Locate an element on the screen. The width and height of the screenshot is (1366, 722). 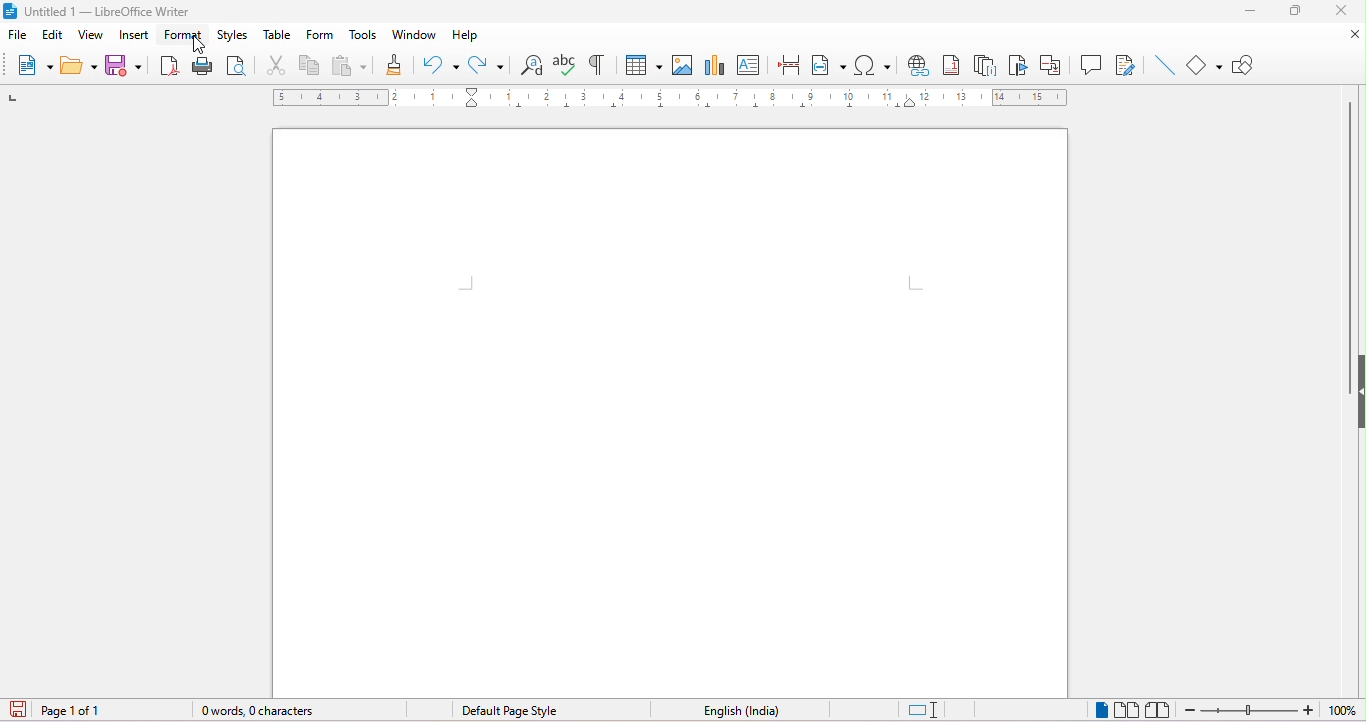
help is located at coordinates (465, 35).